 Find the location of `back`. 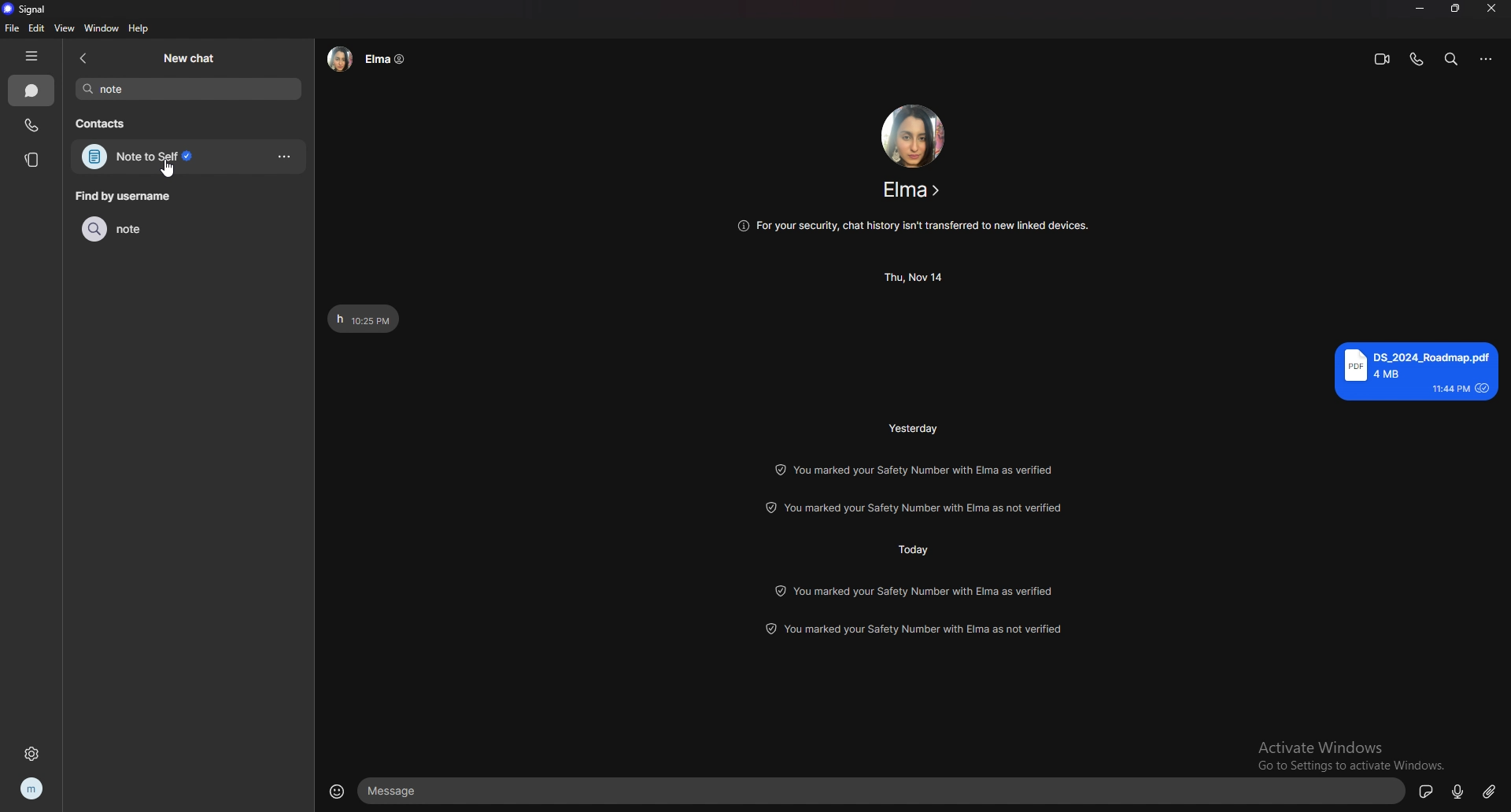

back is located at coordinates (84, 57).